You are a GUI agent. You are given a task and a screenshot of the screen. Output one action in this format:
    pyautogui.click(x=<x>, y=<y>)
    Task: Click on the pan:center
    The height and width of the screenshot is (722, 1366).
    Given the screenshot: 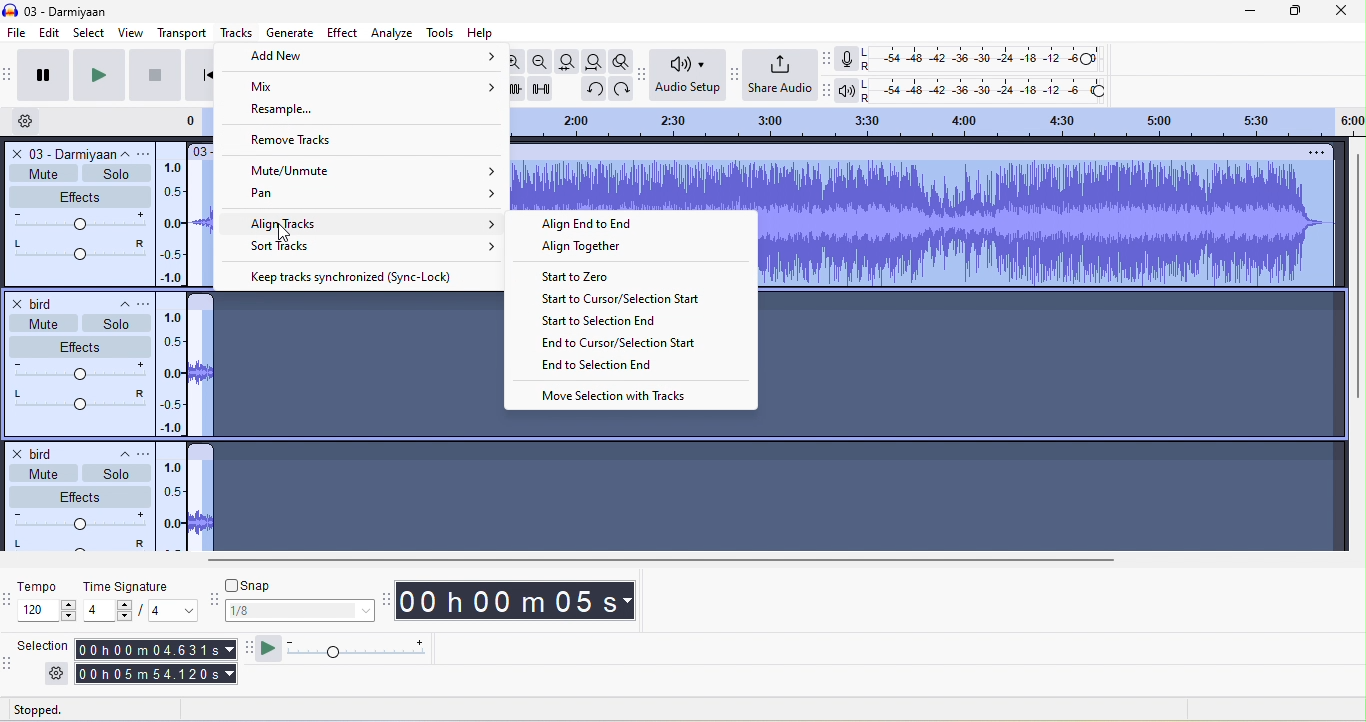 What is the action you would take?
    pyautogui.click(x=77, y=545)
    